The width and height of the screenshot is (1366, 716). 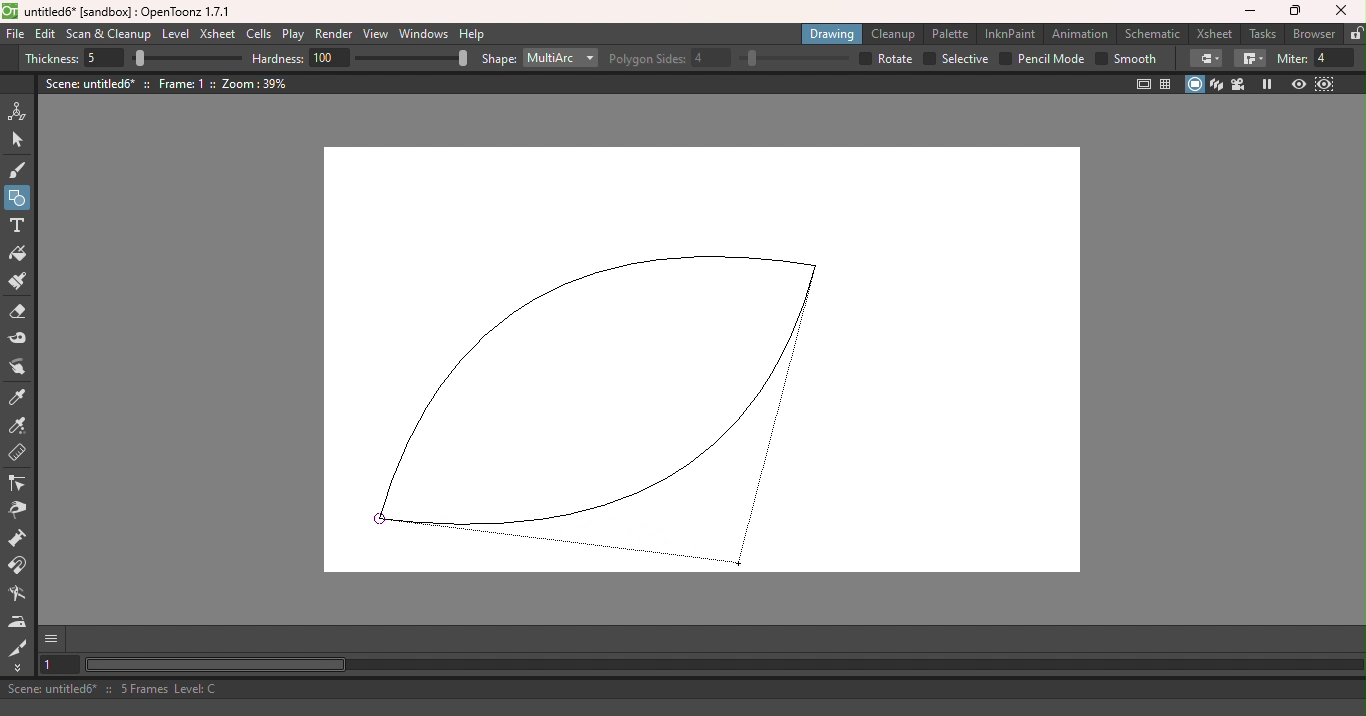 What do you see at coordinates (1316, 59) in the screenshot?
I see `Miter` at bounding box center [1316, 59].